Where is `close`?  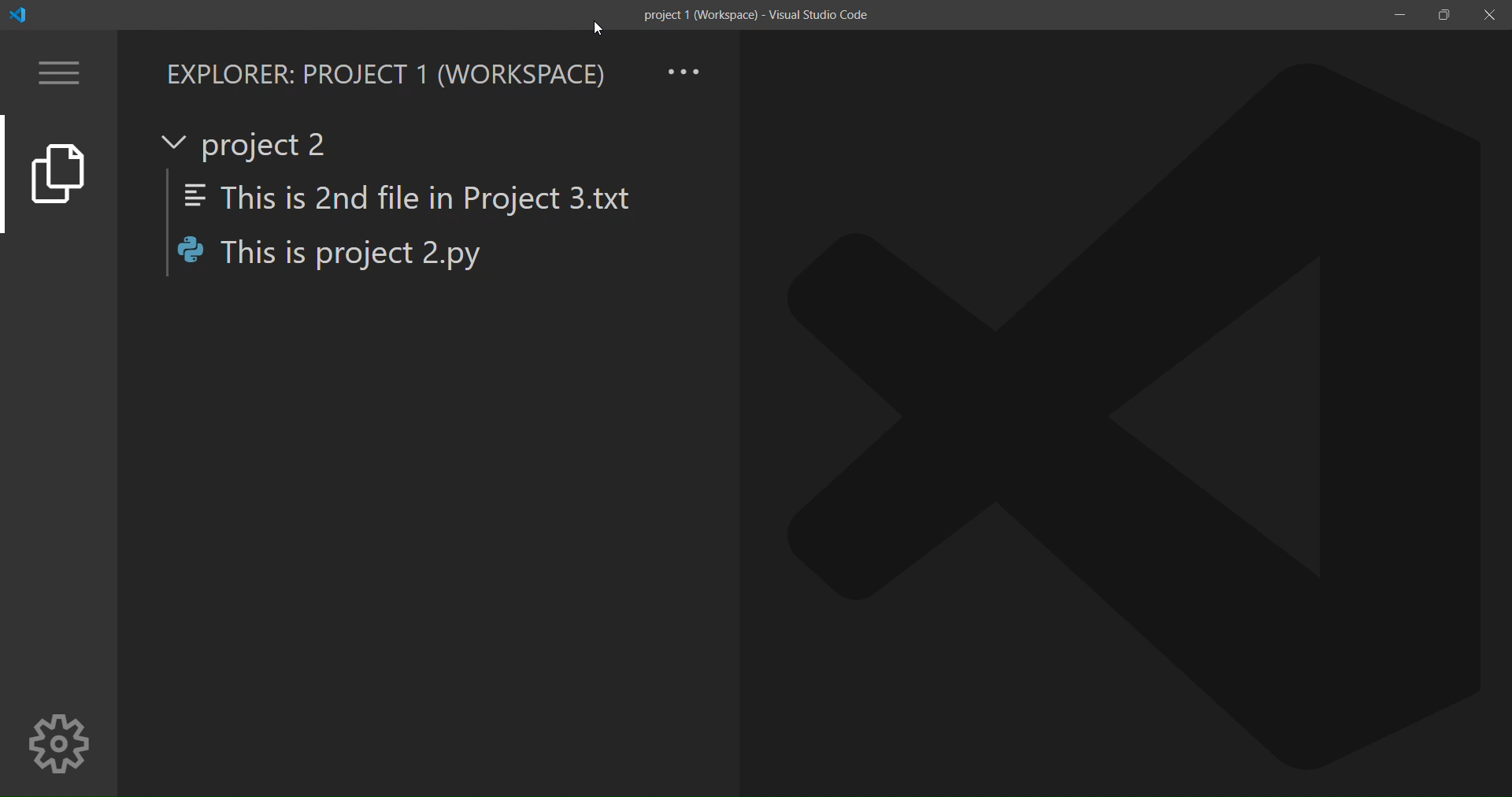
close is located at coordinates (1485, 16).